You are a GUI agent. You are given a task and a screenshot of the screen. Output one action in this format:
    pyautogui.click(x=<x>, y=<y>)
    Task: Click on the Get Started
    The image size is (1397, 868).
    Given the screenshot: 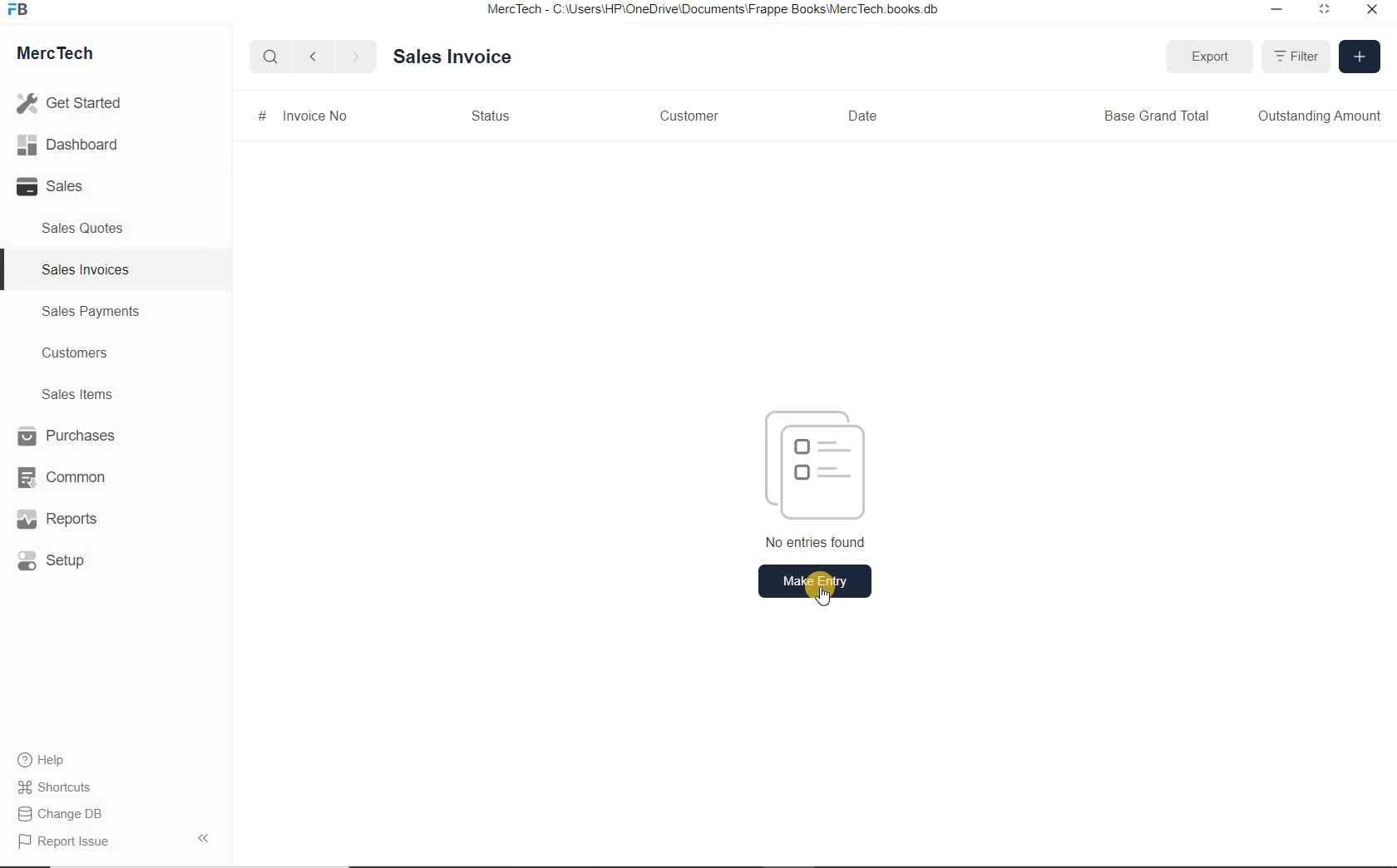 What is the action you would take?
    pyautogui.click(x=75, y=103)
    